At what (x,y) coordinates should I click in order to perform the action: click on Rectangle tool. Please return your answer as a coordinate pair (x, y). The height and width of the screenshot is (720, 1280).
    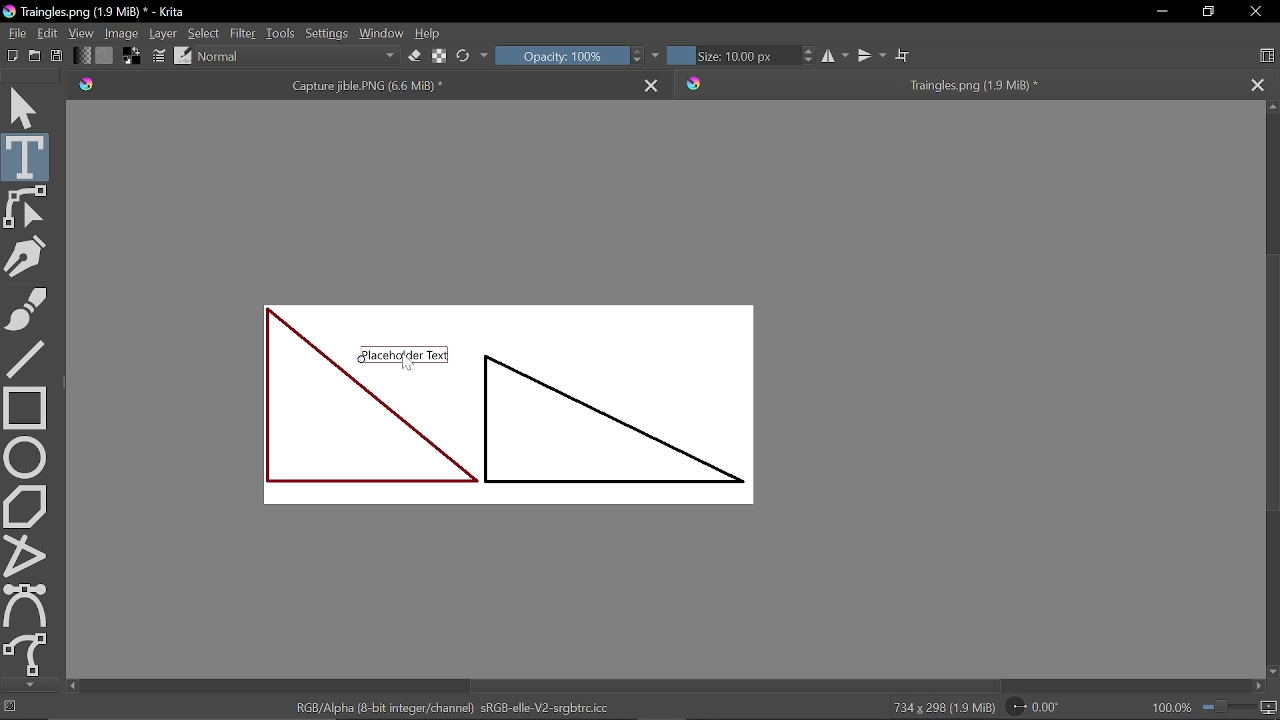
    Looking at the image, I should click on (24, 406).